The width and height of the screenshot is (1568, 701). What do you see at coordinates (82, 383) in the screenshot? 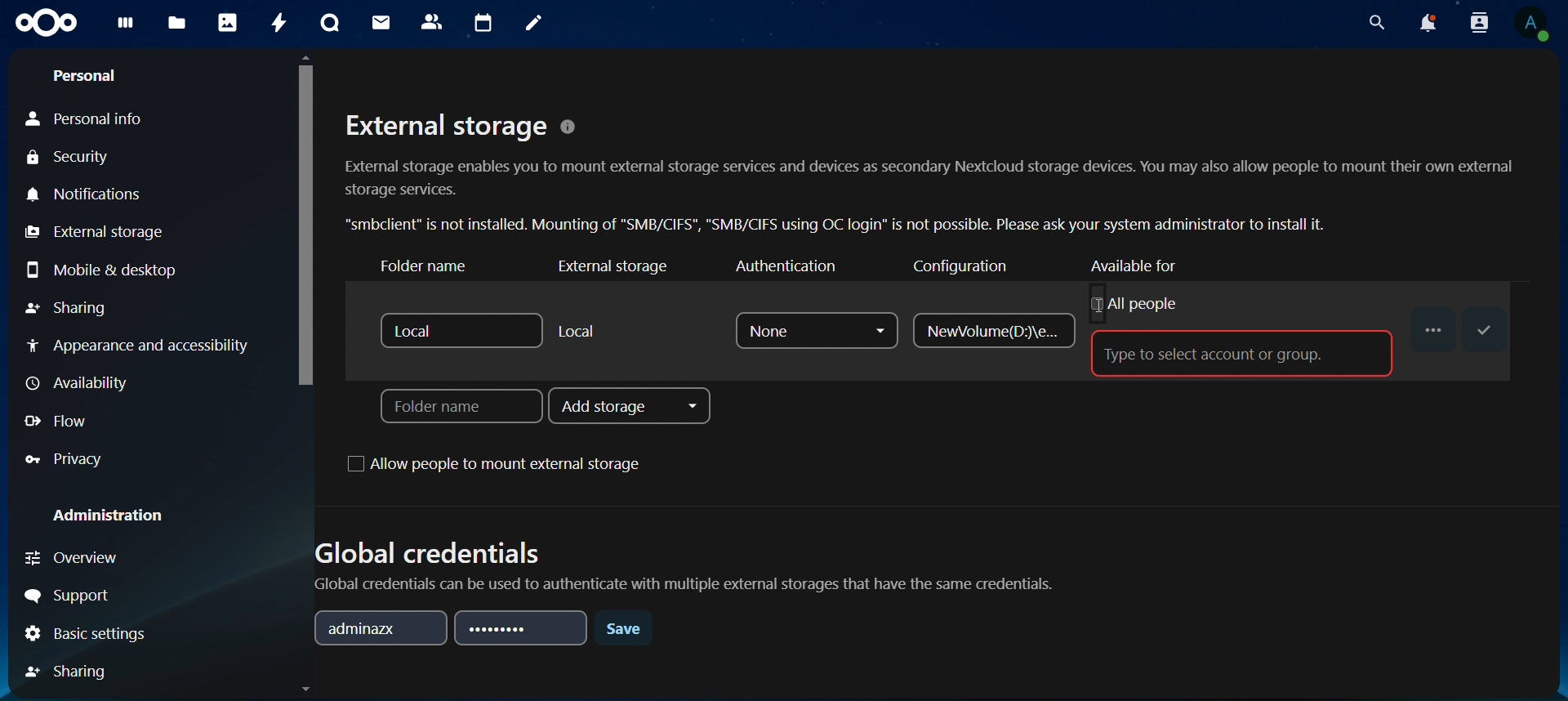
I see `availiabilty` at bounding box center [82, 383].